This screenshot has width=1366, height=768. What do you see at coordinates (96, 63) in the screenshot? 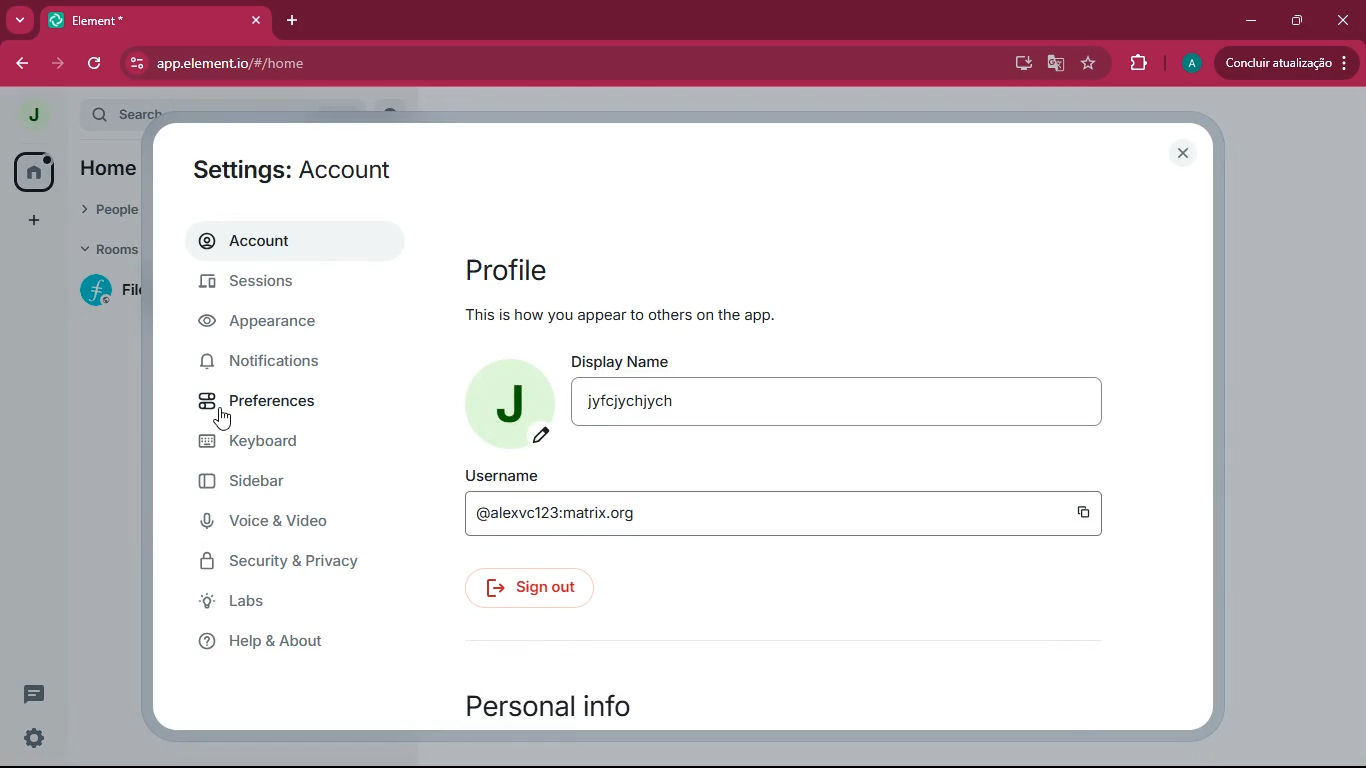
I see `refresh` at bounding box center [96, 63].